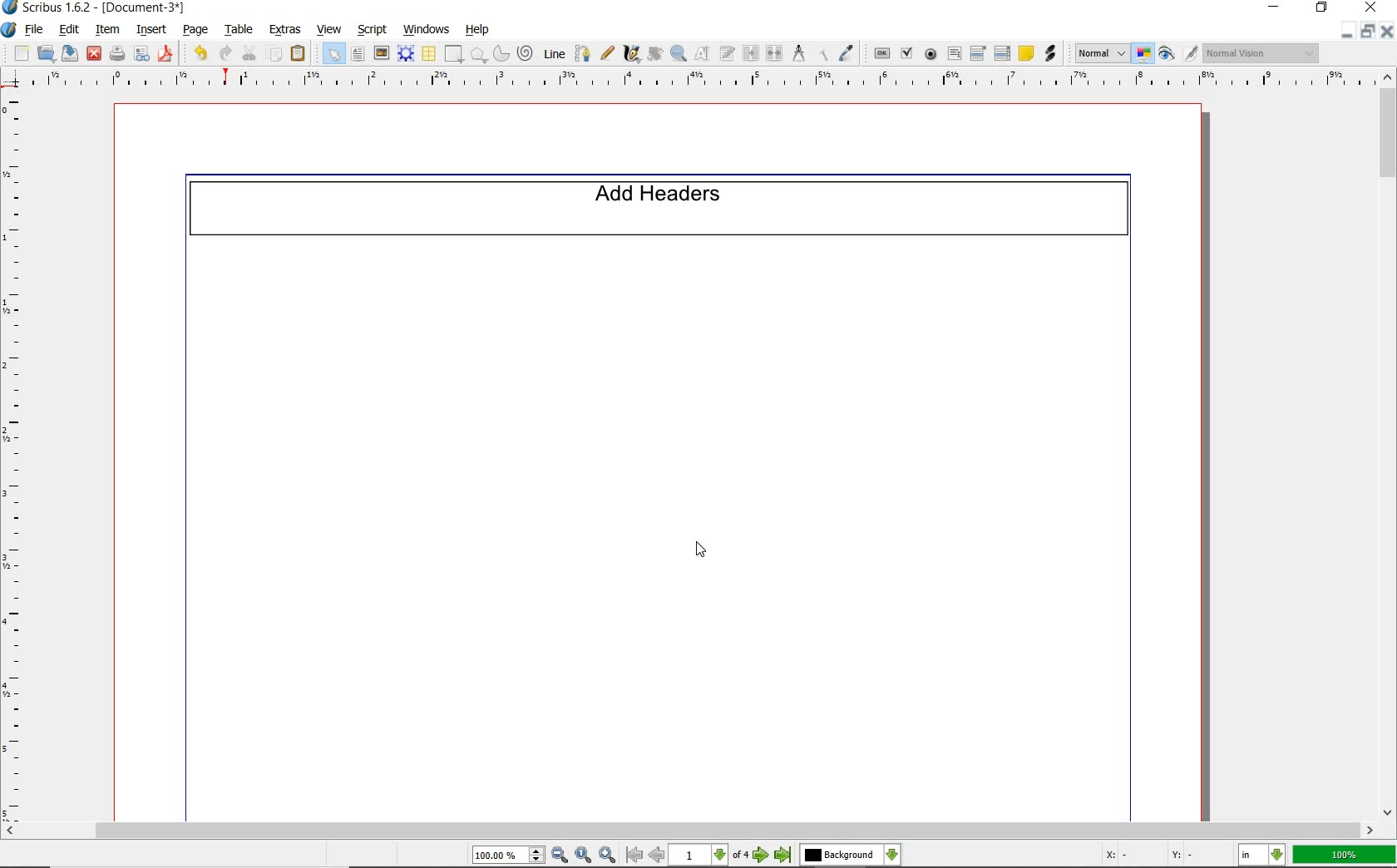 This screenshot has height=868, width=1397. What do you see at coordinates (195, 29) in the screenshot?
I see `page` at bounding box center [195, 29].